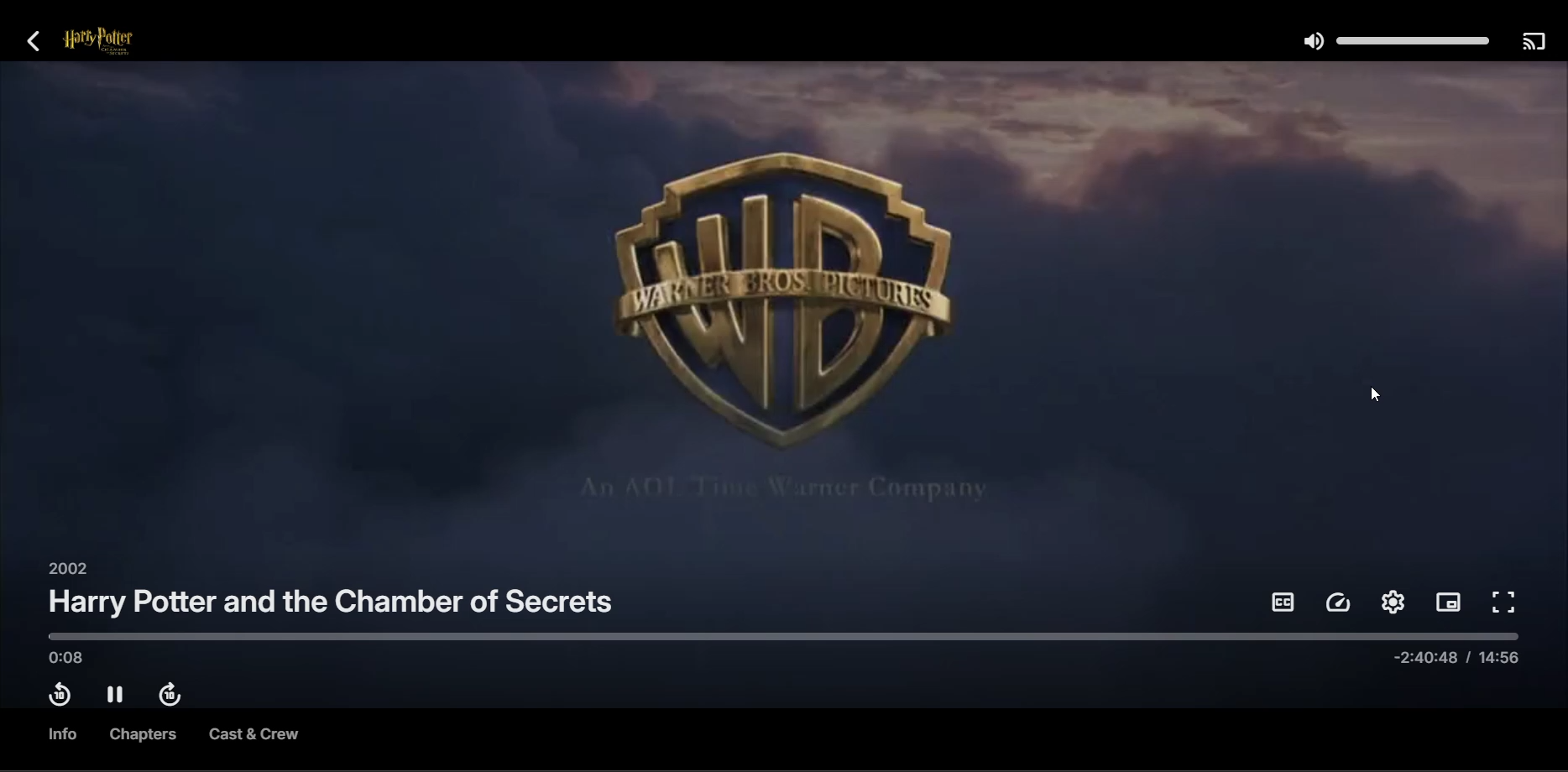 The height and width of the screenshot is (772, 1568). Describe the element at coordinates (253, 737) in the screenshot. I see `Cast and Crew` at that location.